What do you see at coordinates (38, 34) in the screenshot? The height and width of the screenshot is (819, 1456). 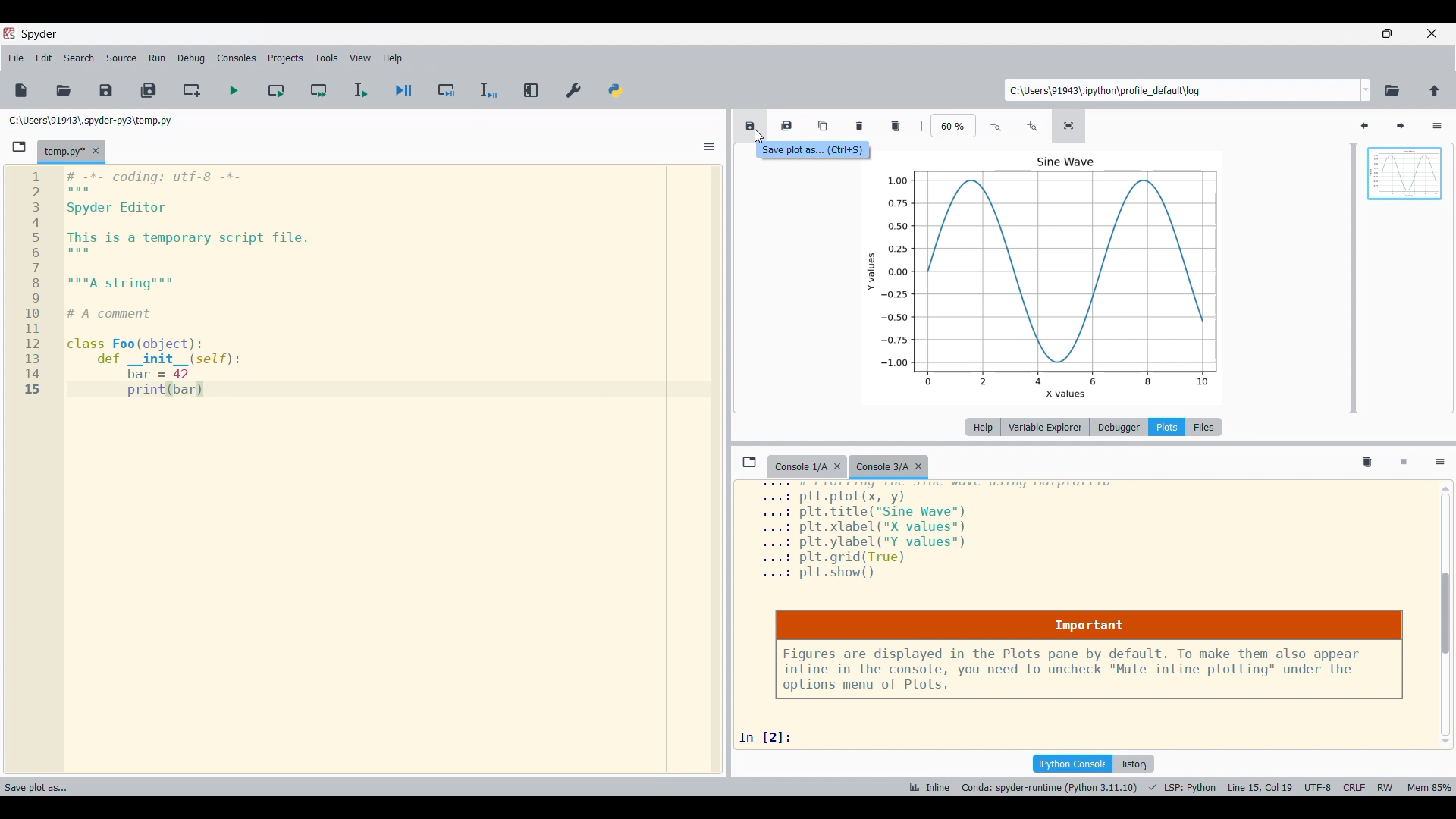 I see `Software name` at bounding box center [38, 34].